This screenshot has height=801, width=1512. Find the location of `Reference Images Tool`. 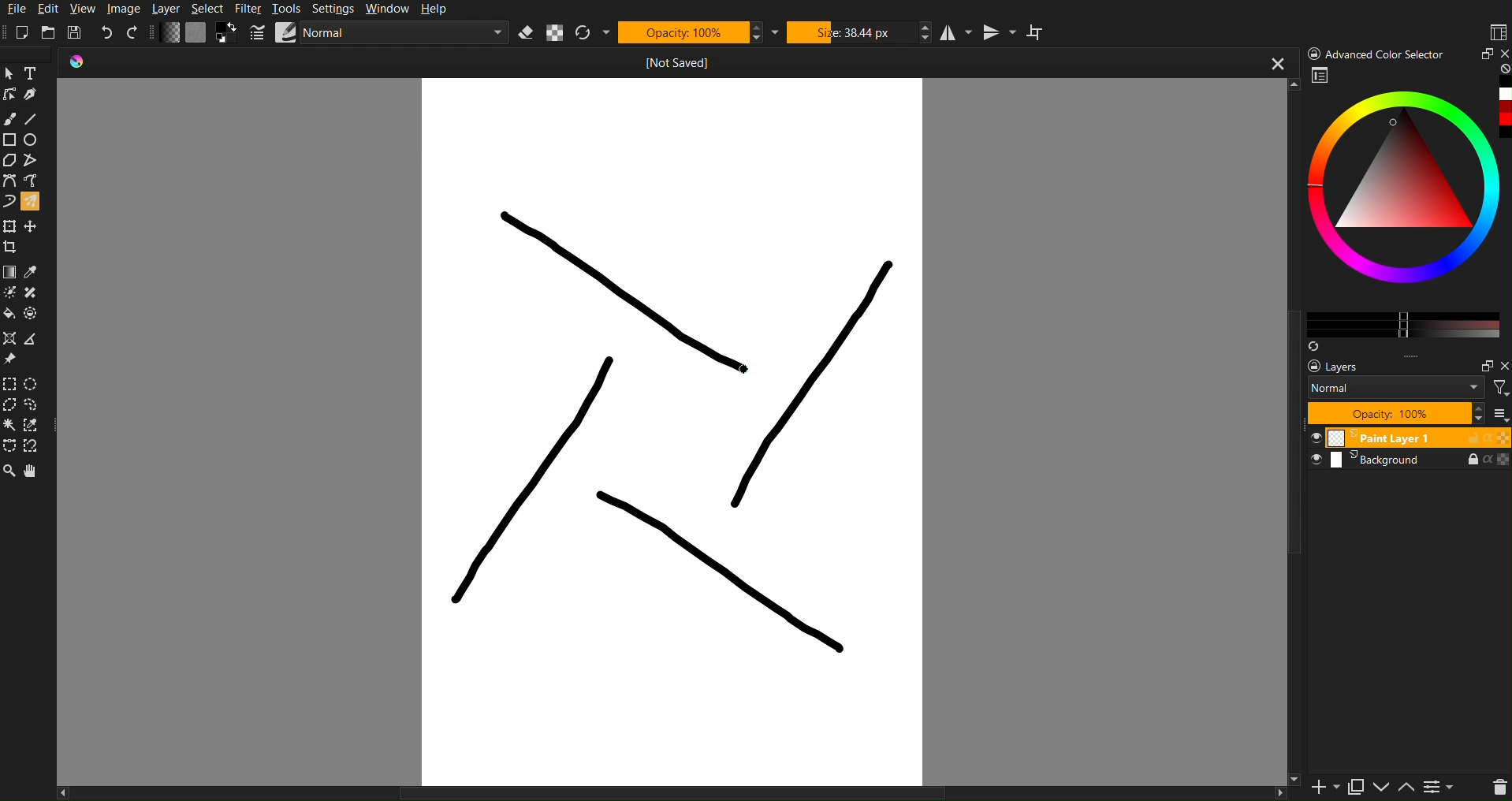

Reference Images Tool is located at coordinates (11, 360).